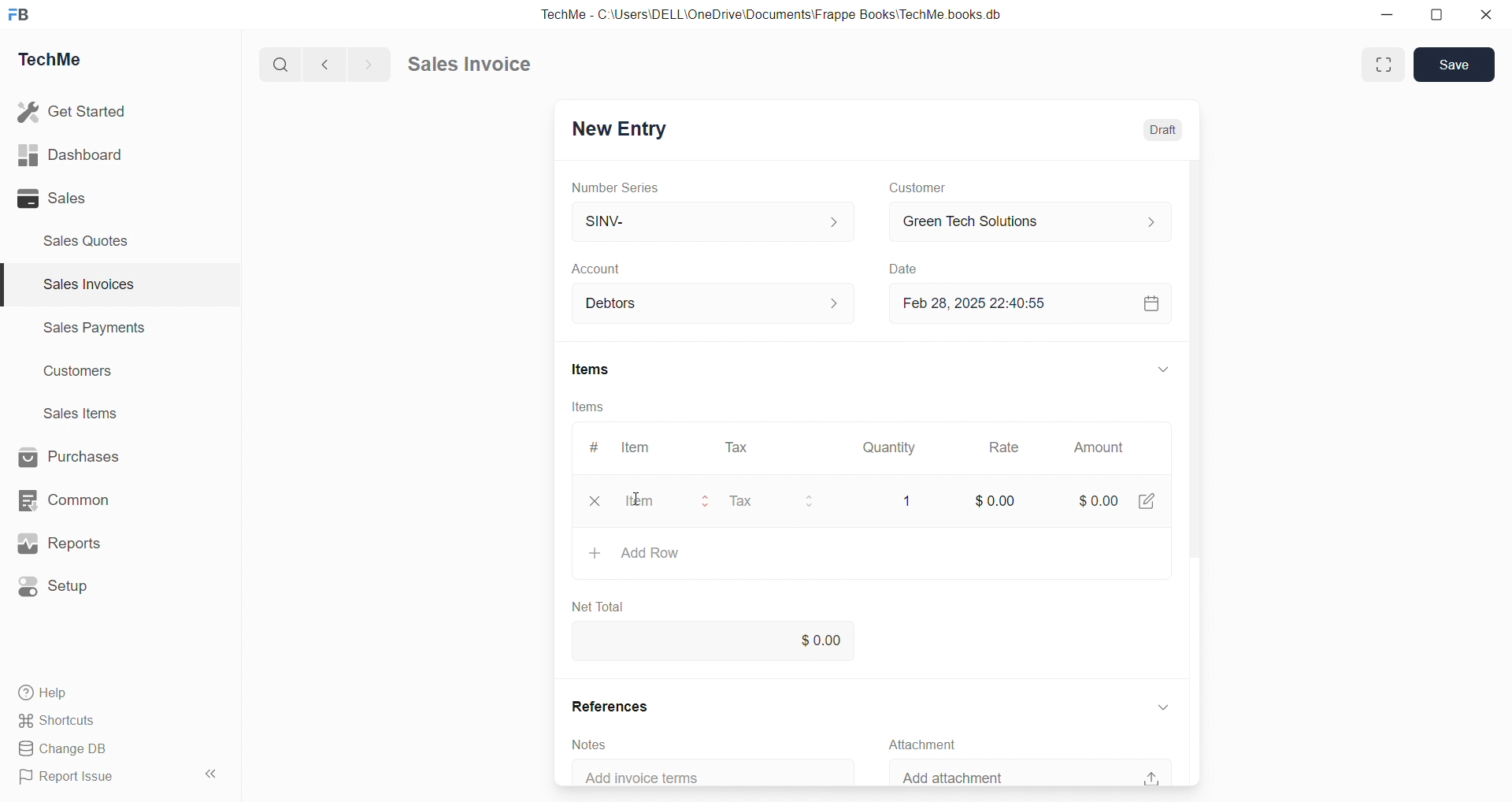  I want to click on buttons, so click(706, 502).